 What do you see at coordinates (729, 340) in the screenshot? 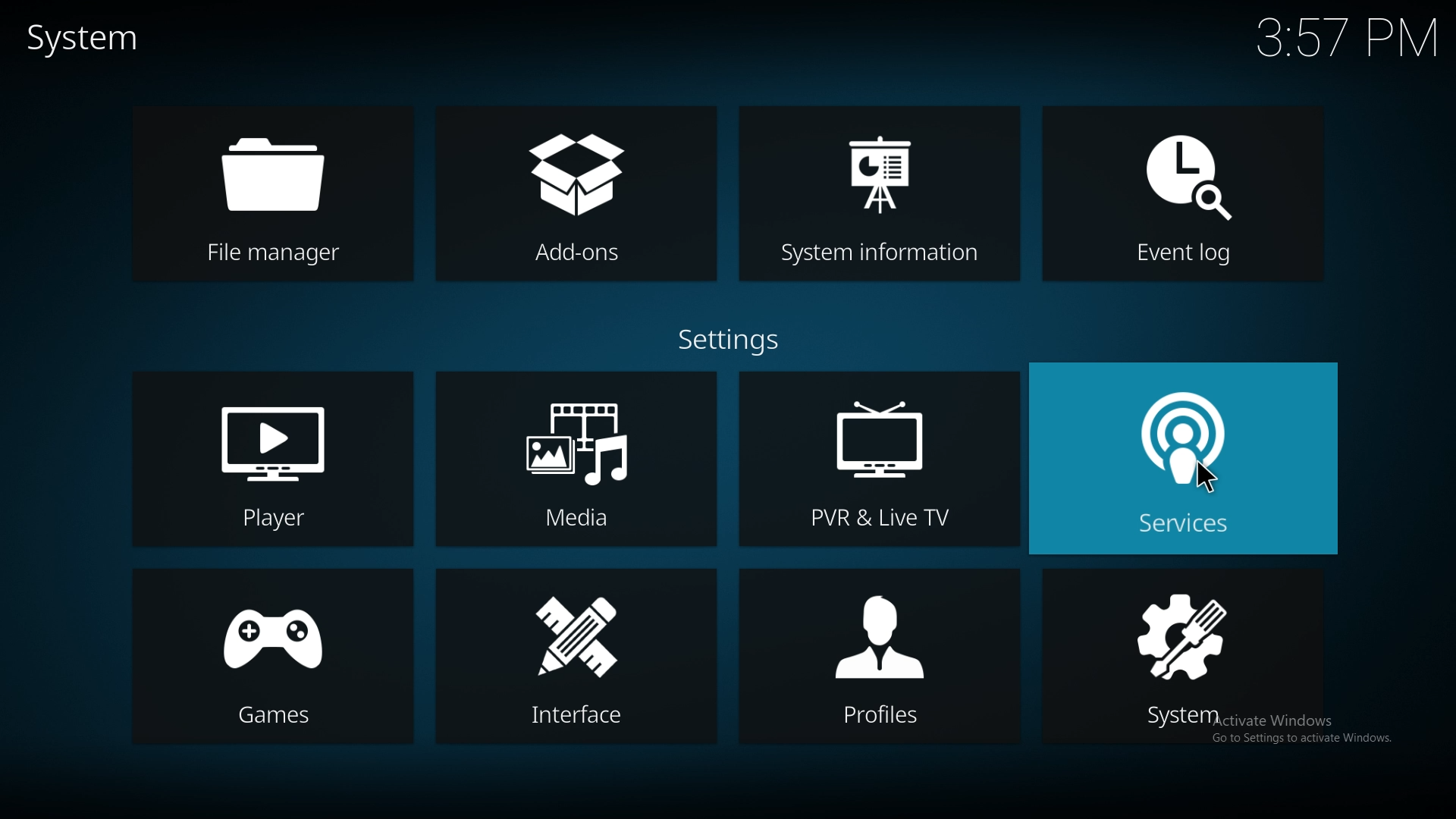
I see `settings` at bounding box center [729, 340].